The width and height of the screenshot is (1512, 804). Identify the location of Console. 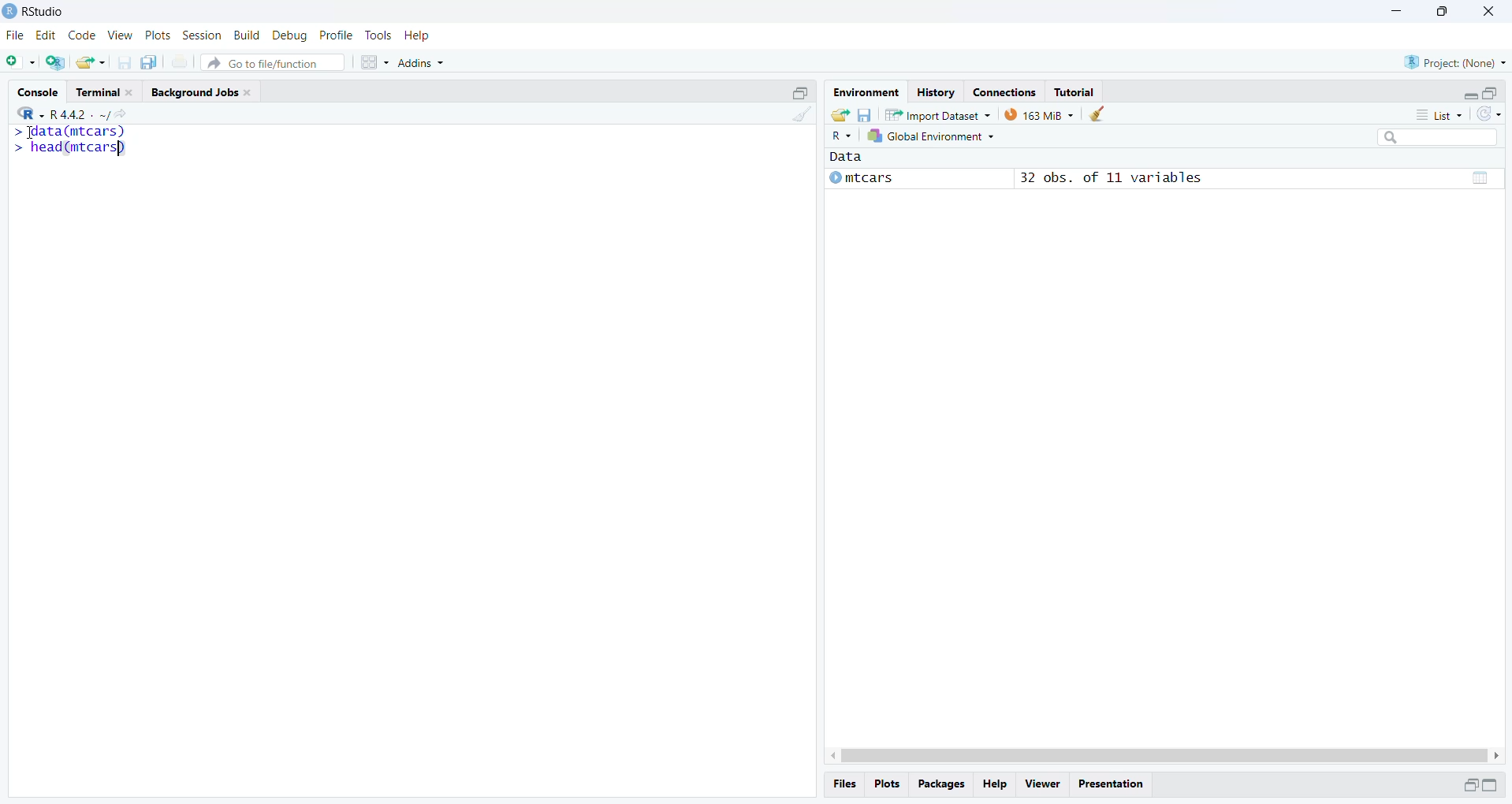
(39, 91).